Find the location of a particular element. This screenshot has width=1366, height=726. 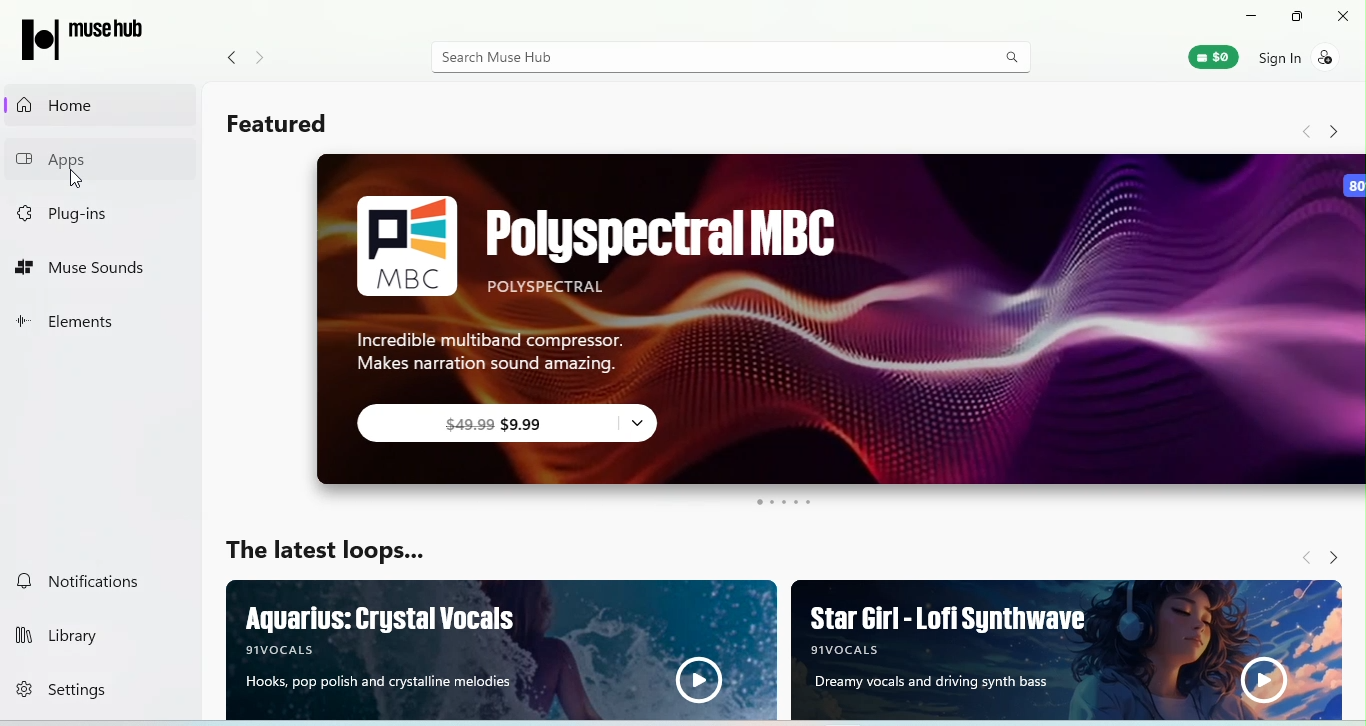

Notifications is located at coordinates (98, 583).